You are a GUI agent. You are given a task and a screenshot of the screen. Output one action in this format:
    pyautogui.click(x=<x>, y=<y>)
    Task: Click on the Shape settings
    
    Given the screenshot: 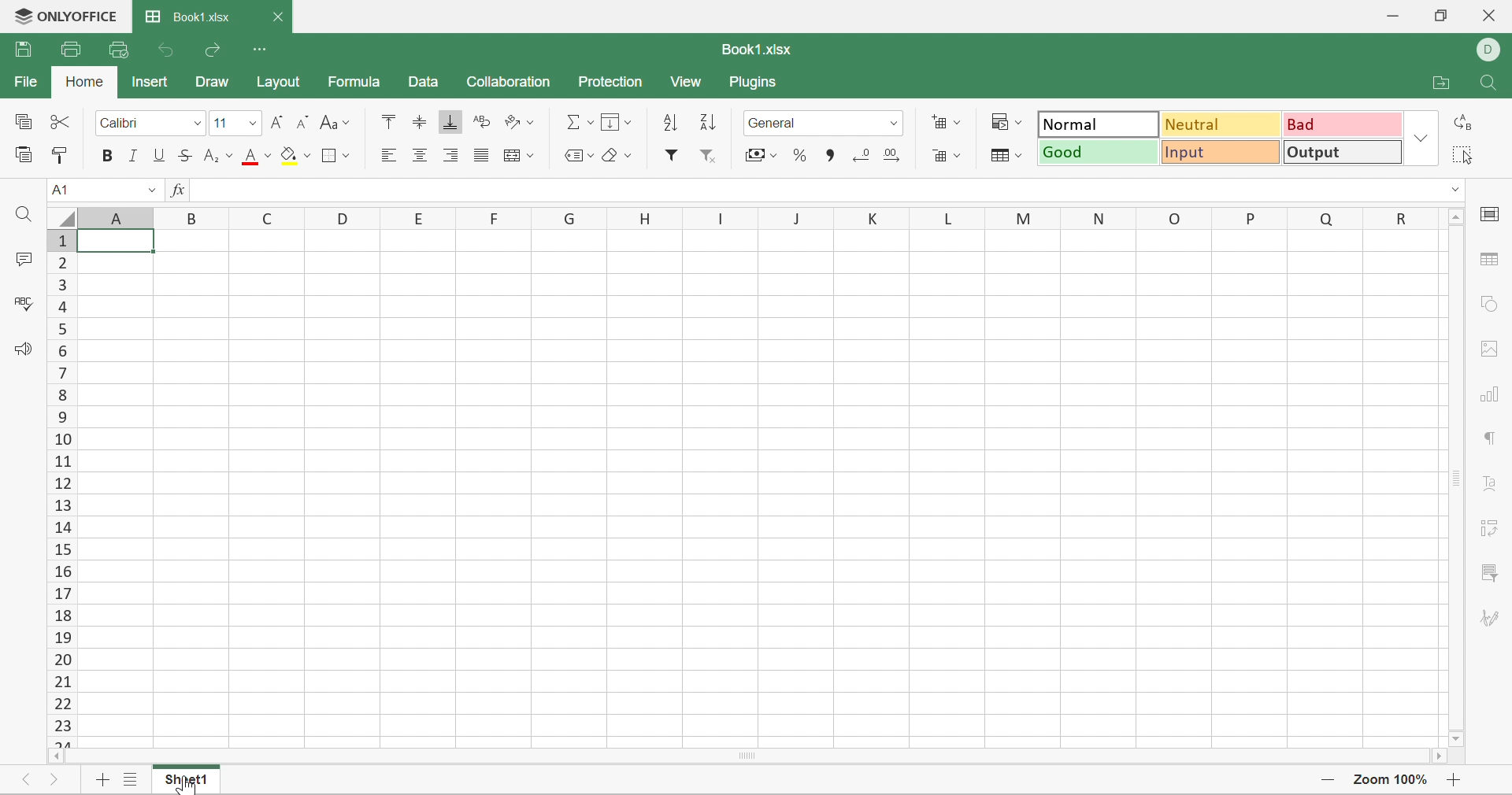 What is the action you would take?
    pyautogui.click(x=1488, y=304)
    